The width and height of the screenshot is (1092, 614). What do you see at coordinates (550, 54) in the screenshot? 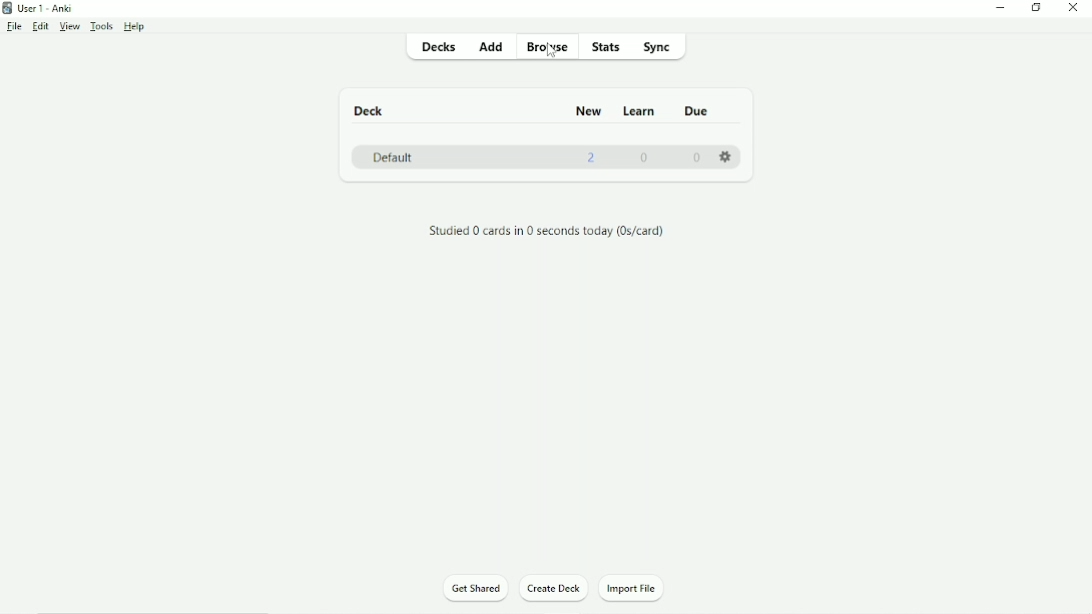
I see `Cursor` at bounding box center [550, 54].